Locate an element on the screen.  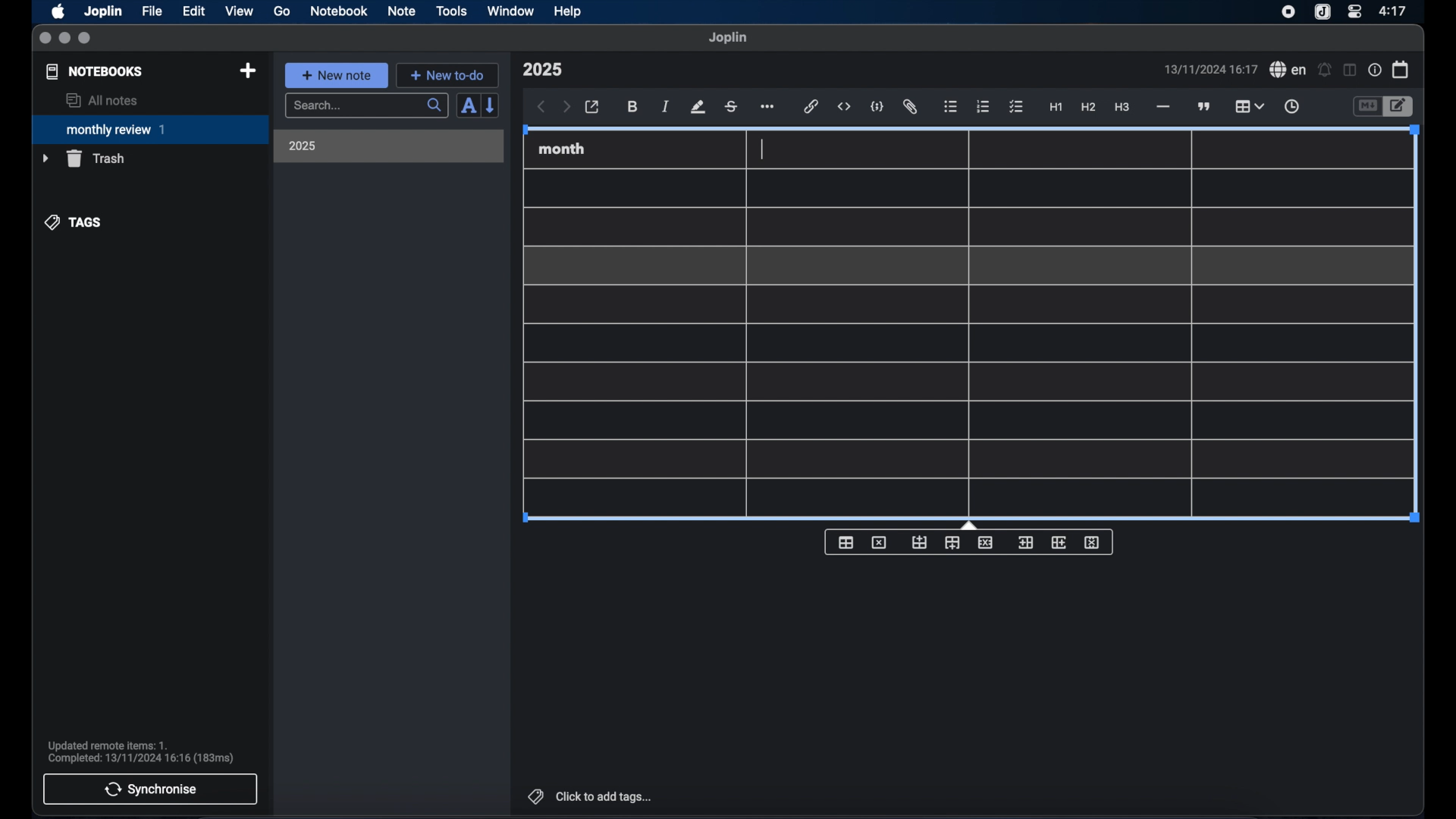
note is located at coordinates (402, 11).